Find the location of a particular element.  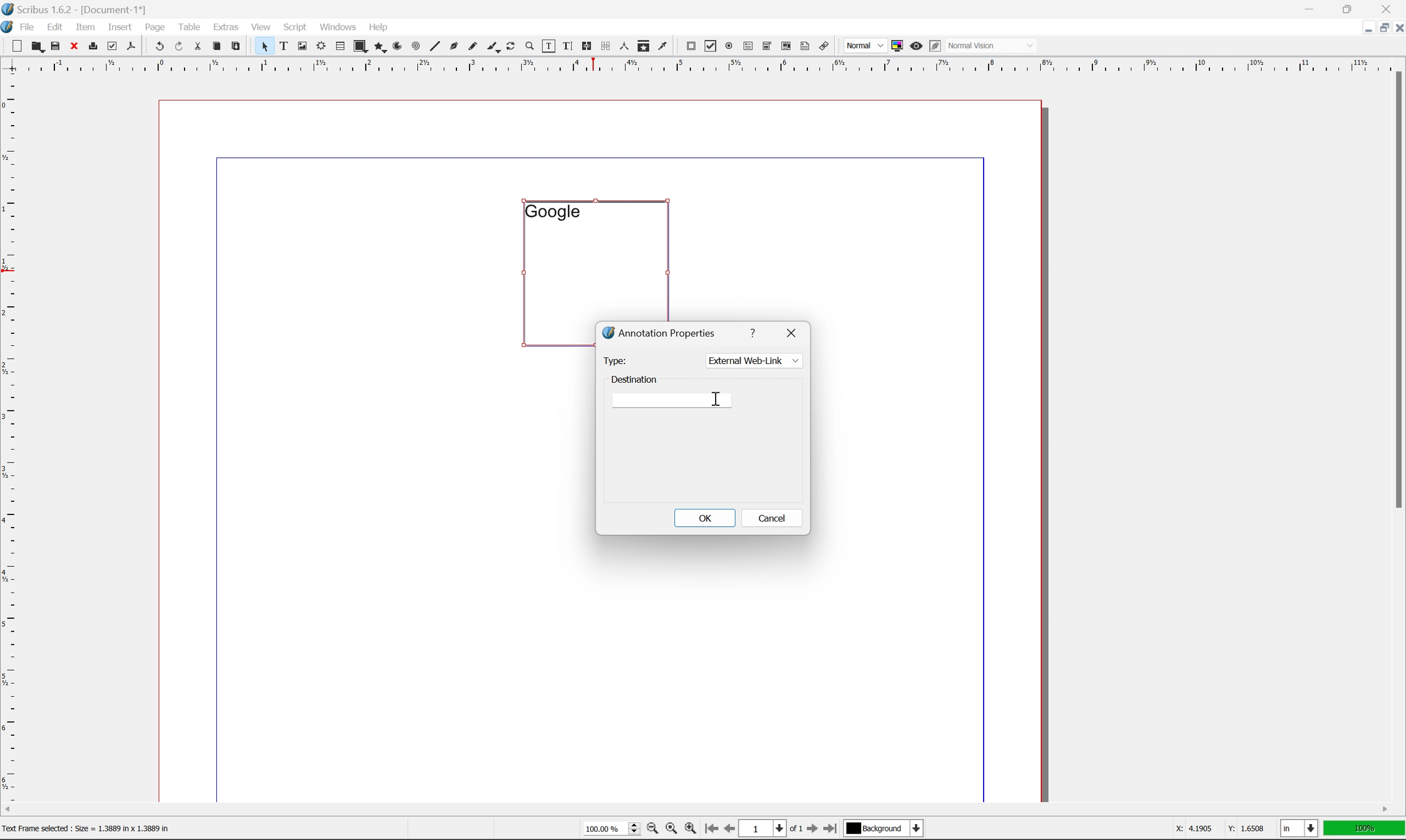

save as pdf is located at coordinates (132, 46).